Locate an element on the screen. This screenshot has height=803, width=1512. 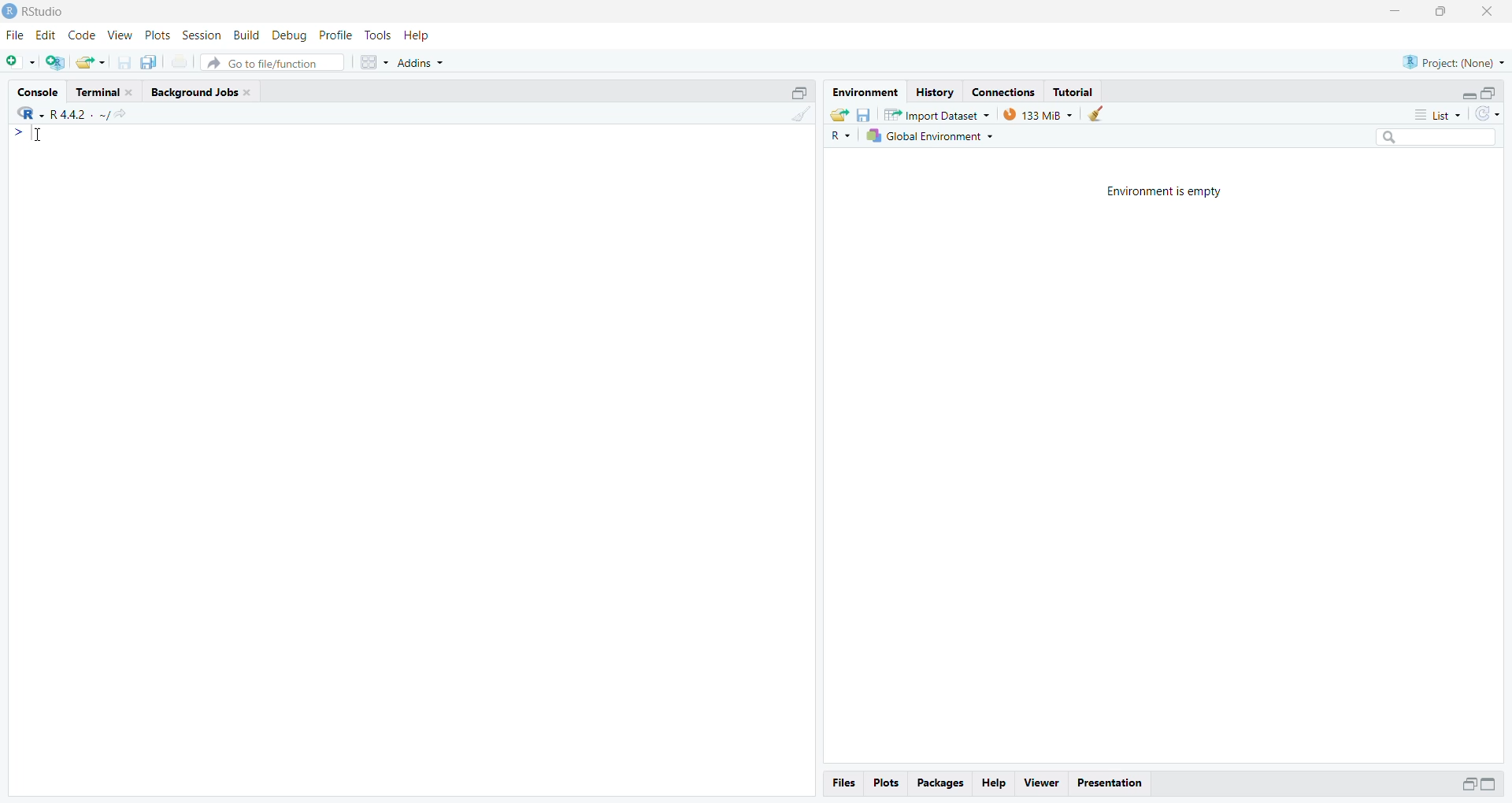
Maximize is located at coordinates (1442, 12).